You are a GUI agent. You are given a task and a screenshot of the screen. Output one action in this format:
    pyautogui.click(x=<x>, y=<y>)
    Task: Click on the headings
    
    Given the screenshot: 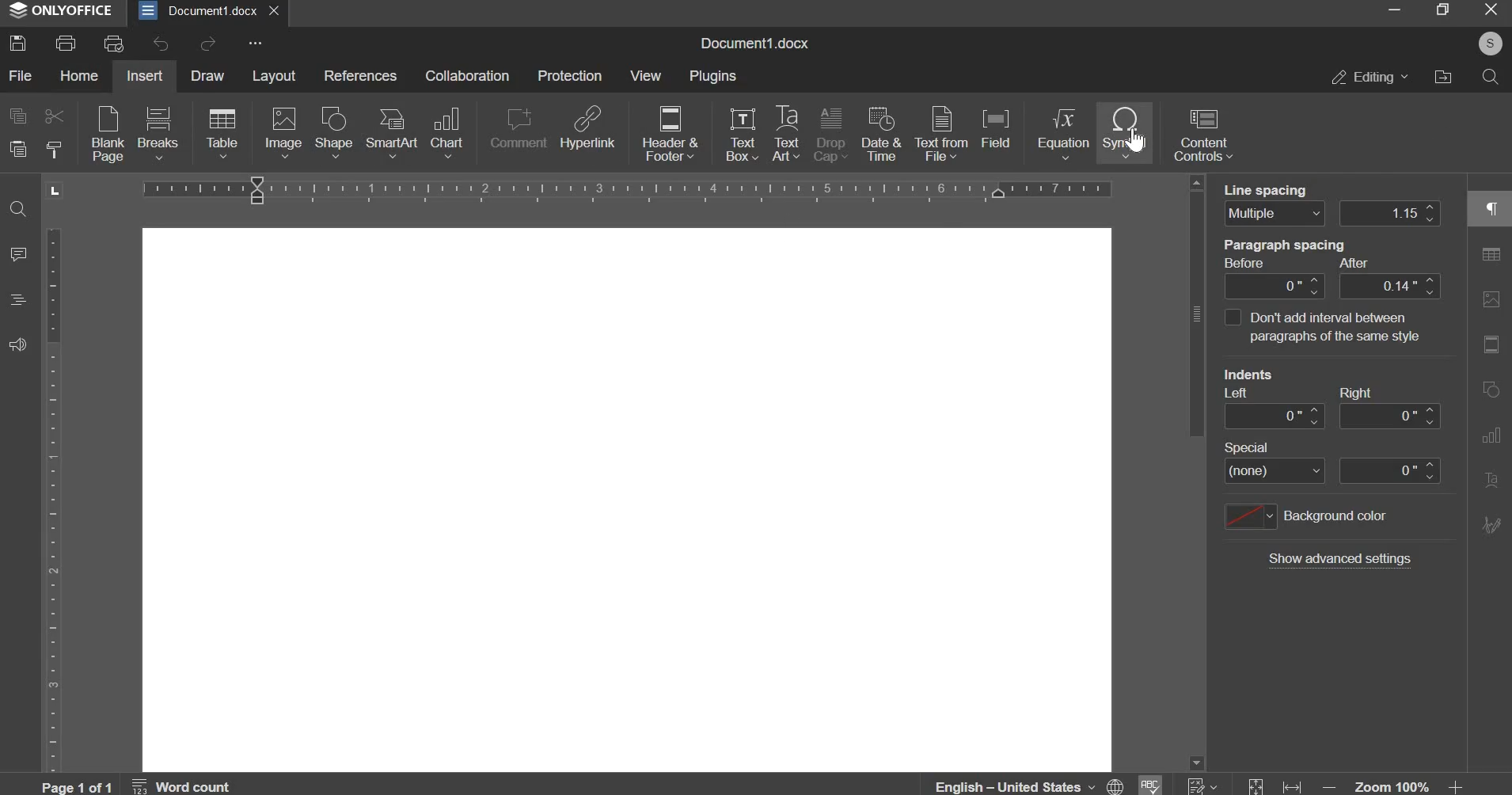 What is the action you would take?
    pyautogui.click(x=16, y=299)
    